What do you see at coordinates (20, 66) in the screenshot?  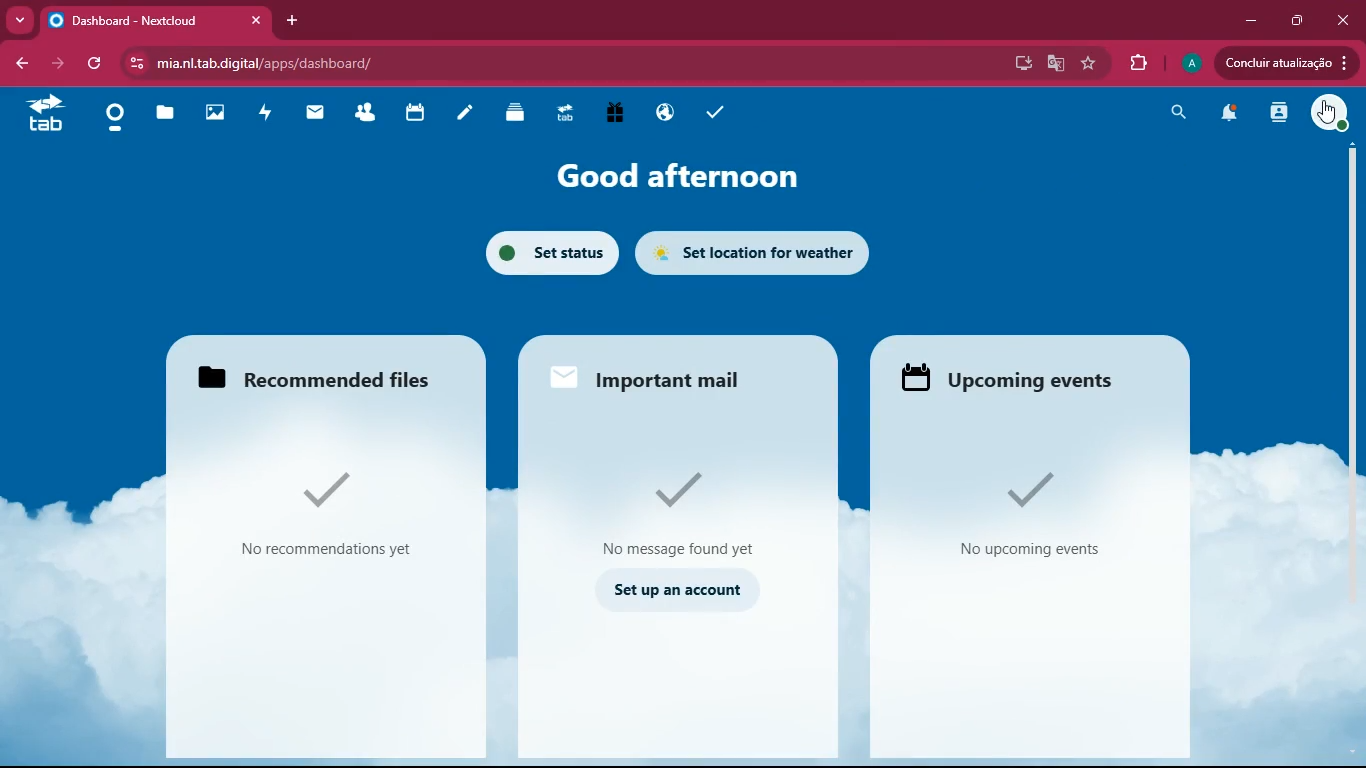 I see `bacj` at bounding box center [20, 66].